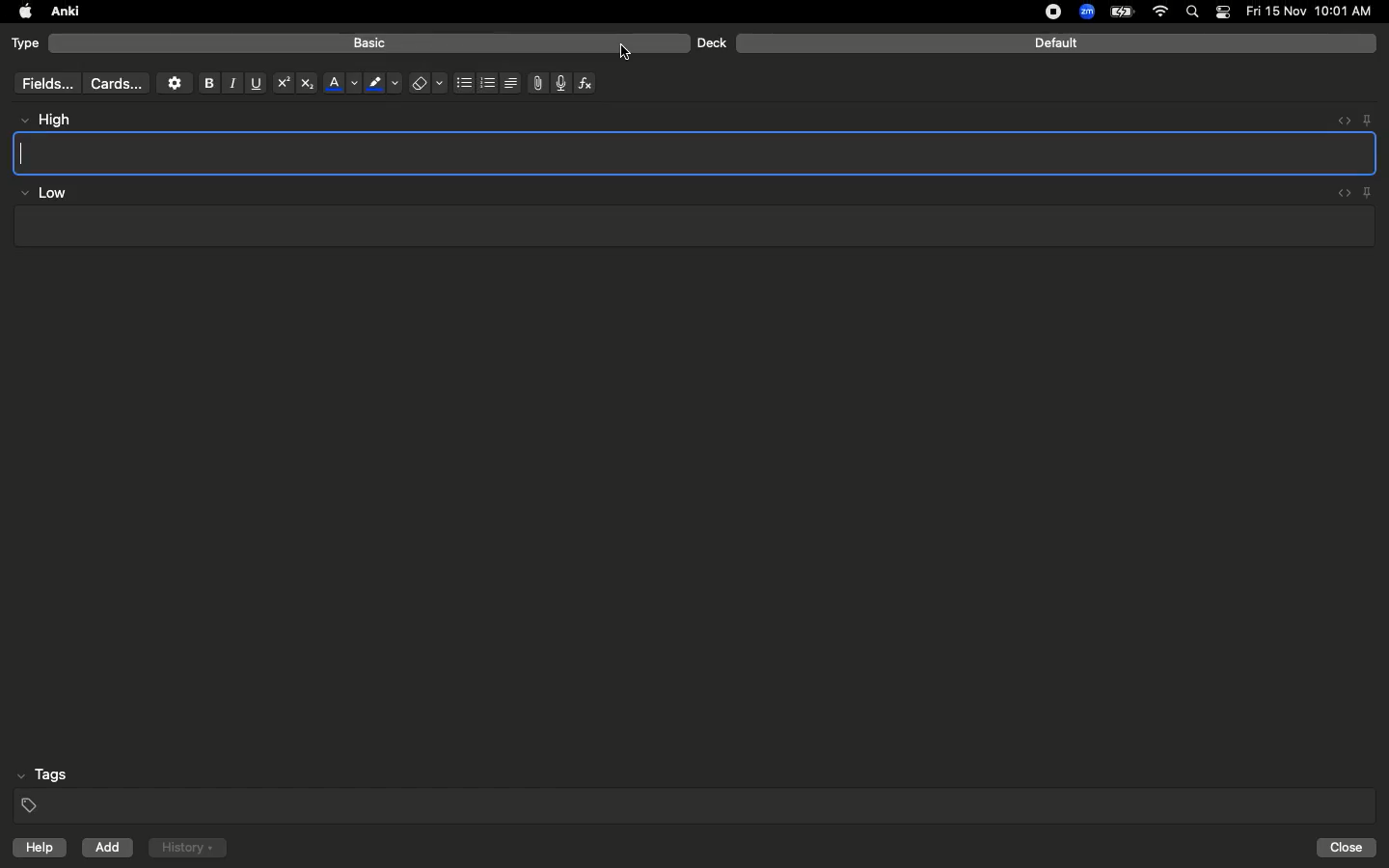  I want to click on Basic, so click(370, 43).